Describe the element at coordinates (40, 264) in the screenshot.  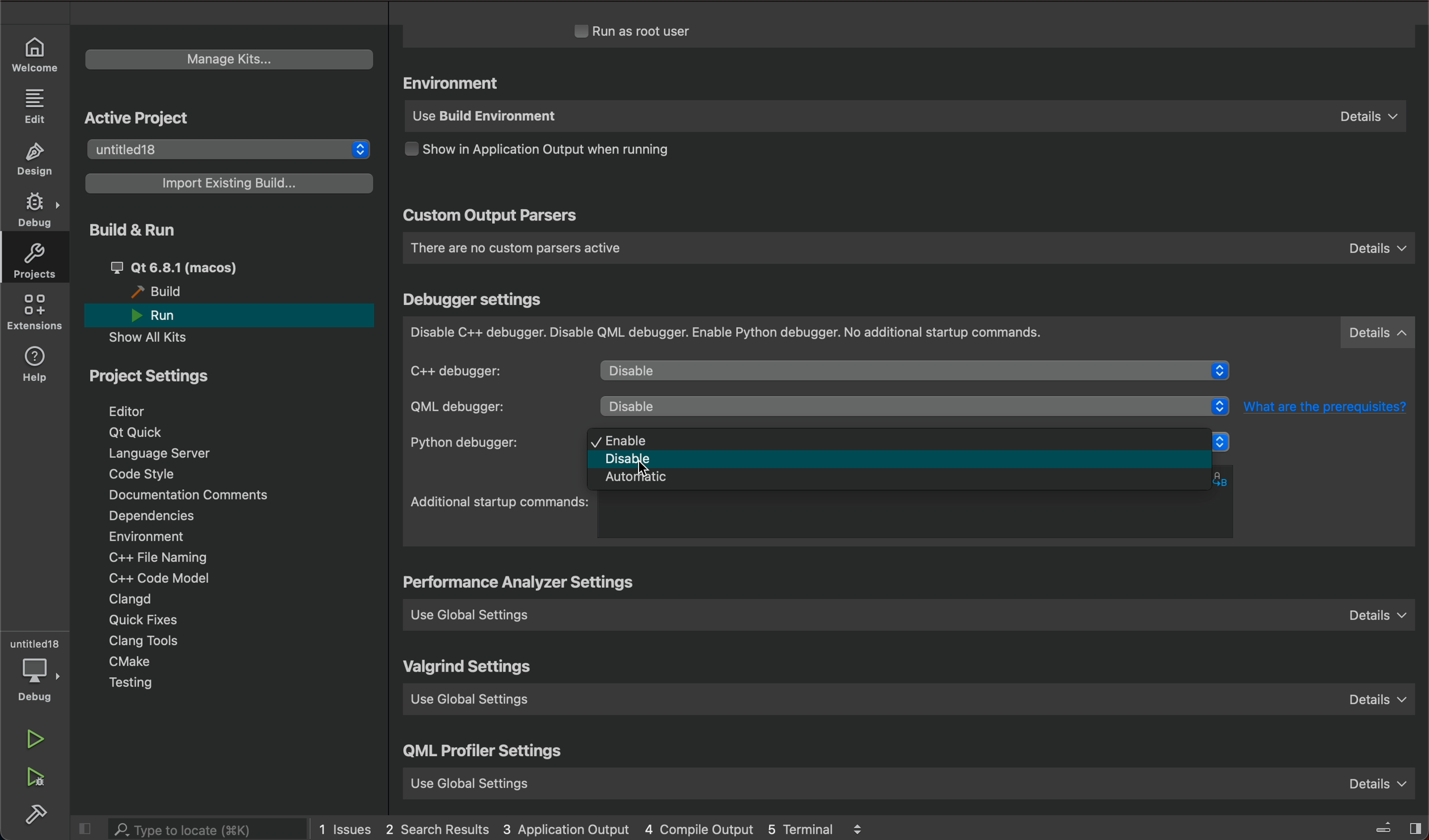
I see `projects` at that location.